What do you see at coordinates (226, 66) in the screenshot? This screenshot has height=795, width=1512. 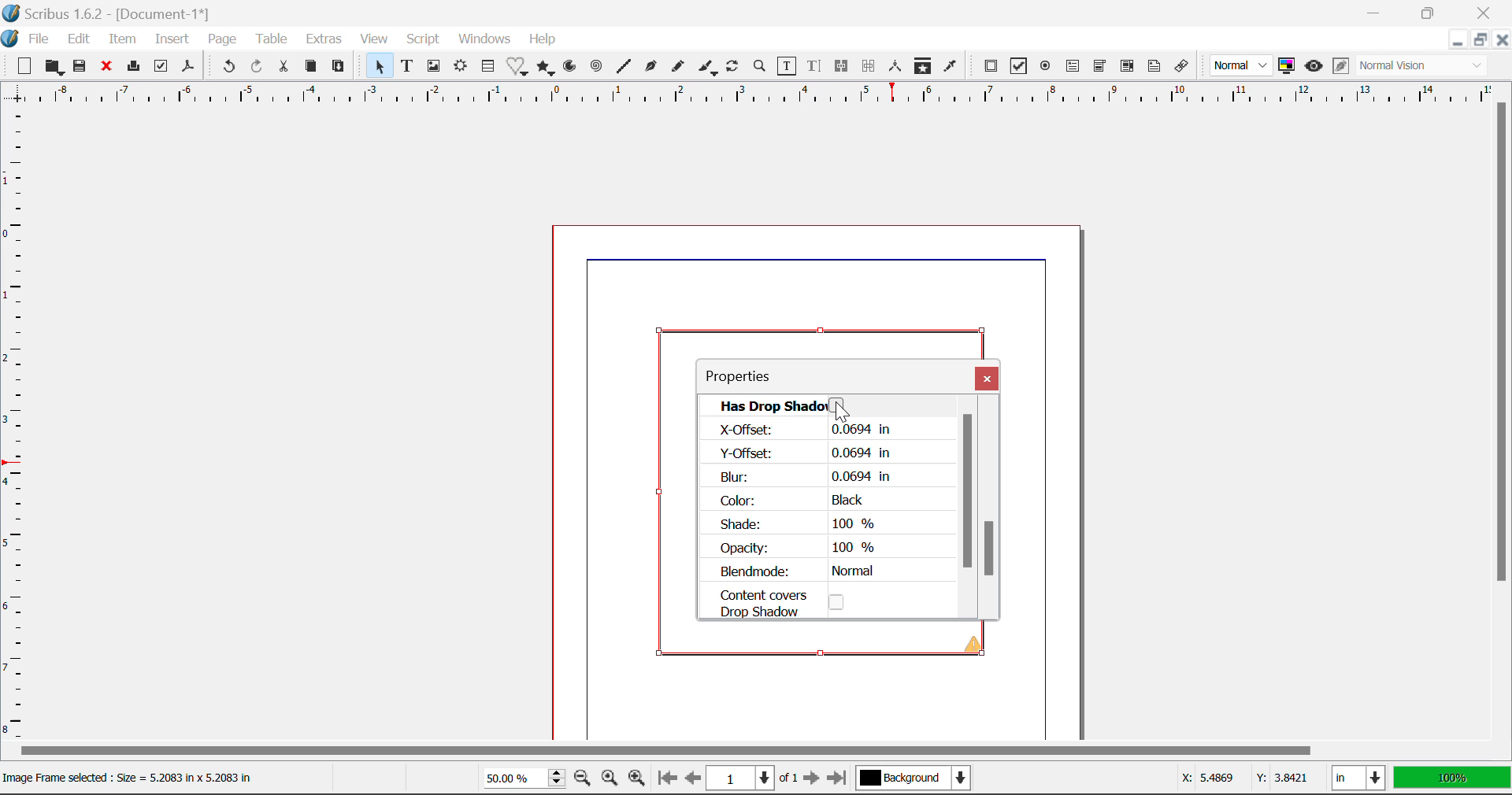 I see `Undo` at bounding box center [226, 66].